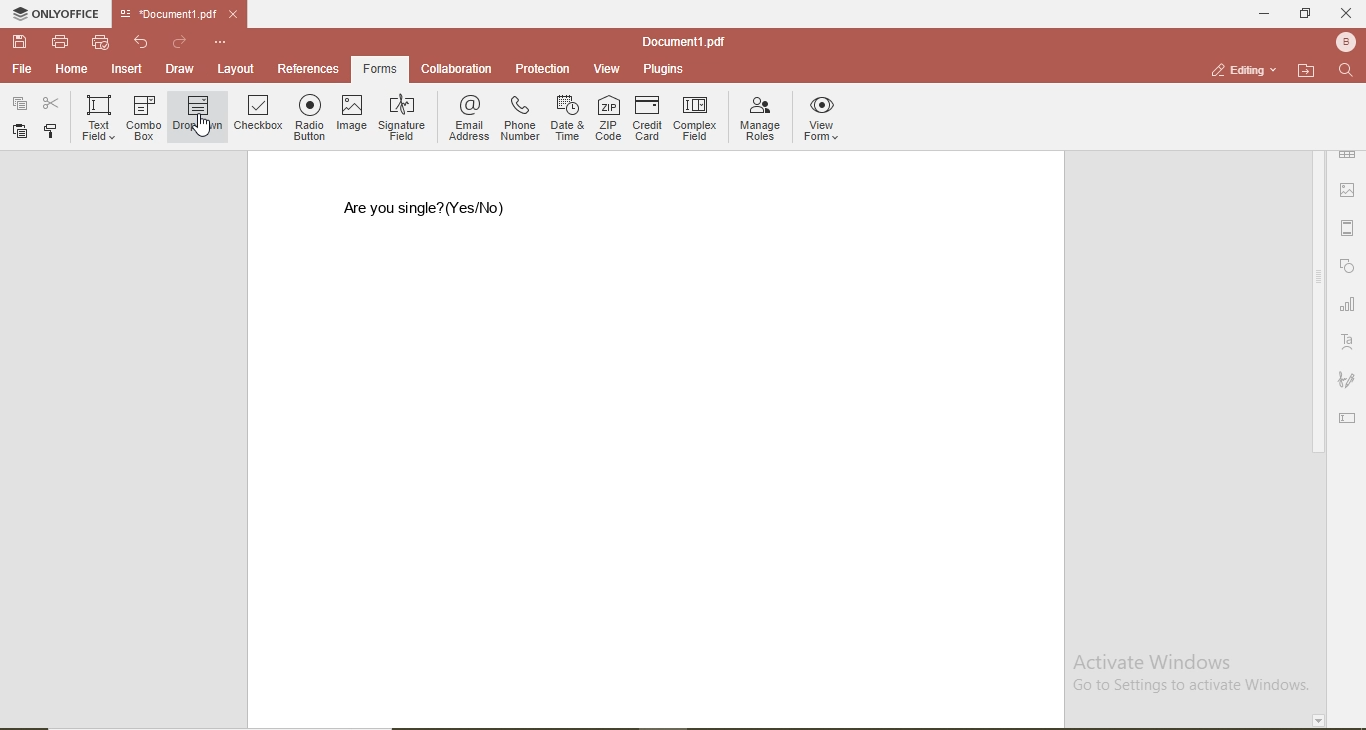  I want to click on references, so click(309, 68).